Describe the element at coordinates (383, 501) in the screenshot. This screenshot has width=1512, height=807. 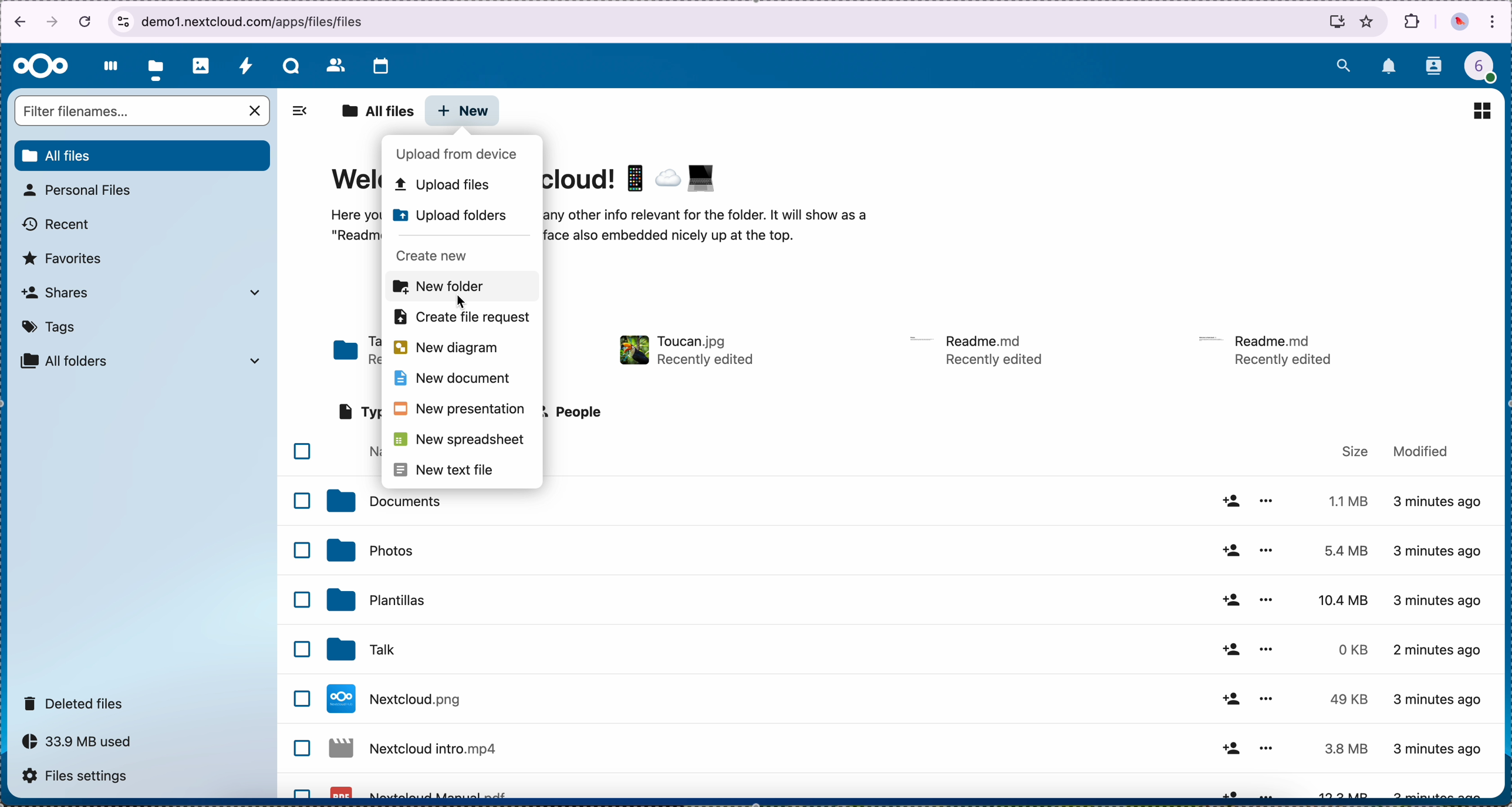
I see `documents` at that location.